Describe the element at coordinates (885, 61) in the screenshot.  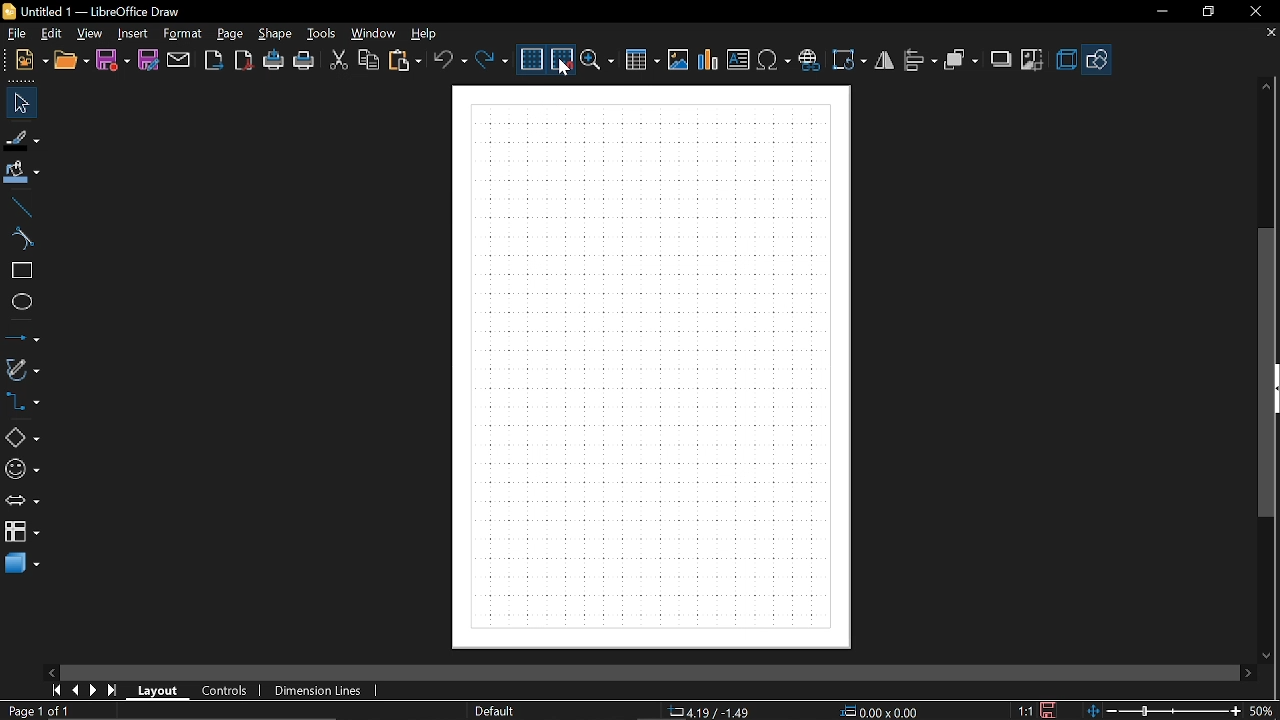
I see `Flip` at that location.